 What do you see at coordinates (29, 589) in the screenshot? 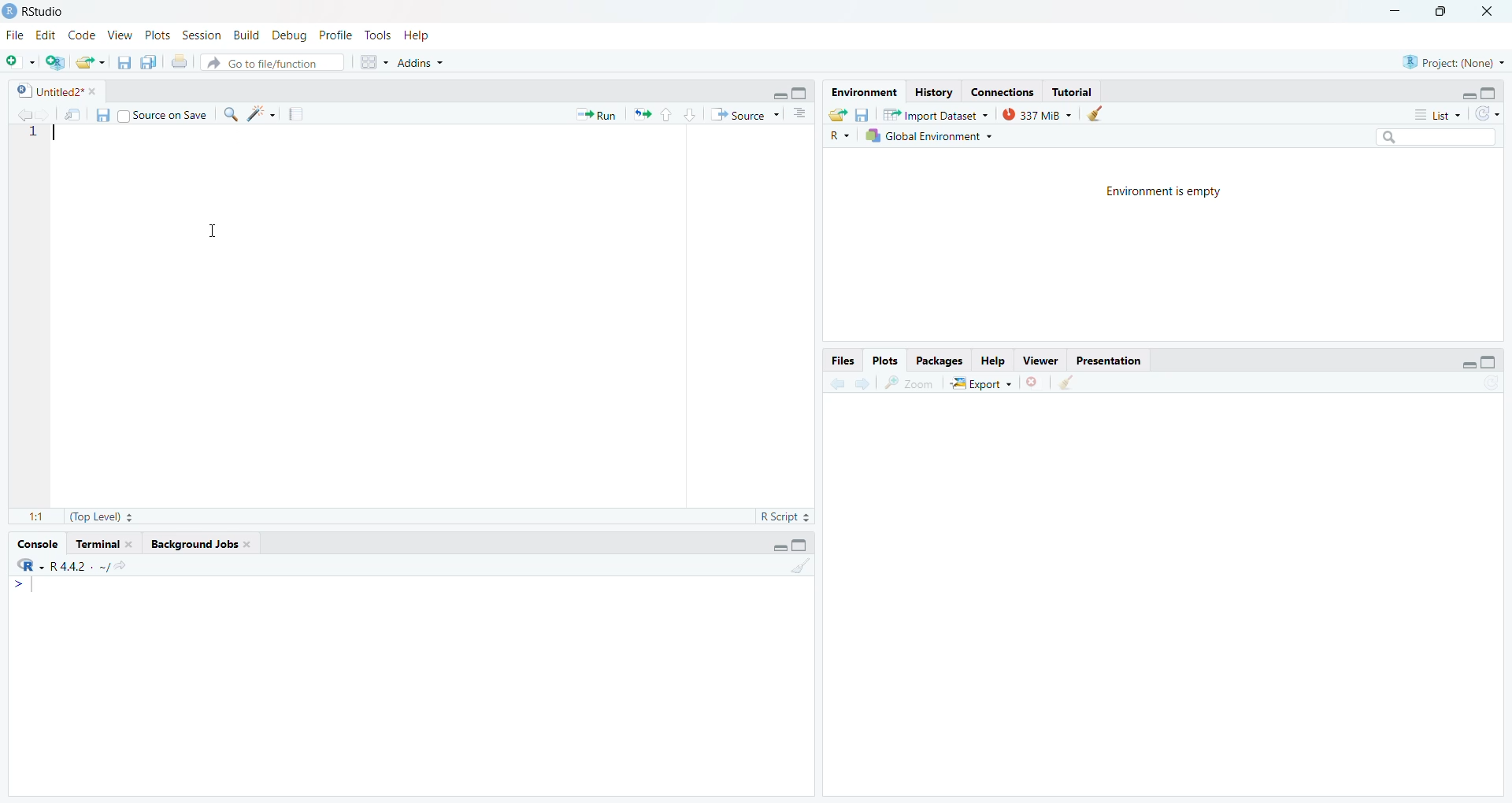
I see `typing cursor` at bounding box center [29, 589].